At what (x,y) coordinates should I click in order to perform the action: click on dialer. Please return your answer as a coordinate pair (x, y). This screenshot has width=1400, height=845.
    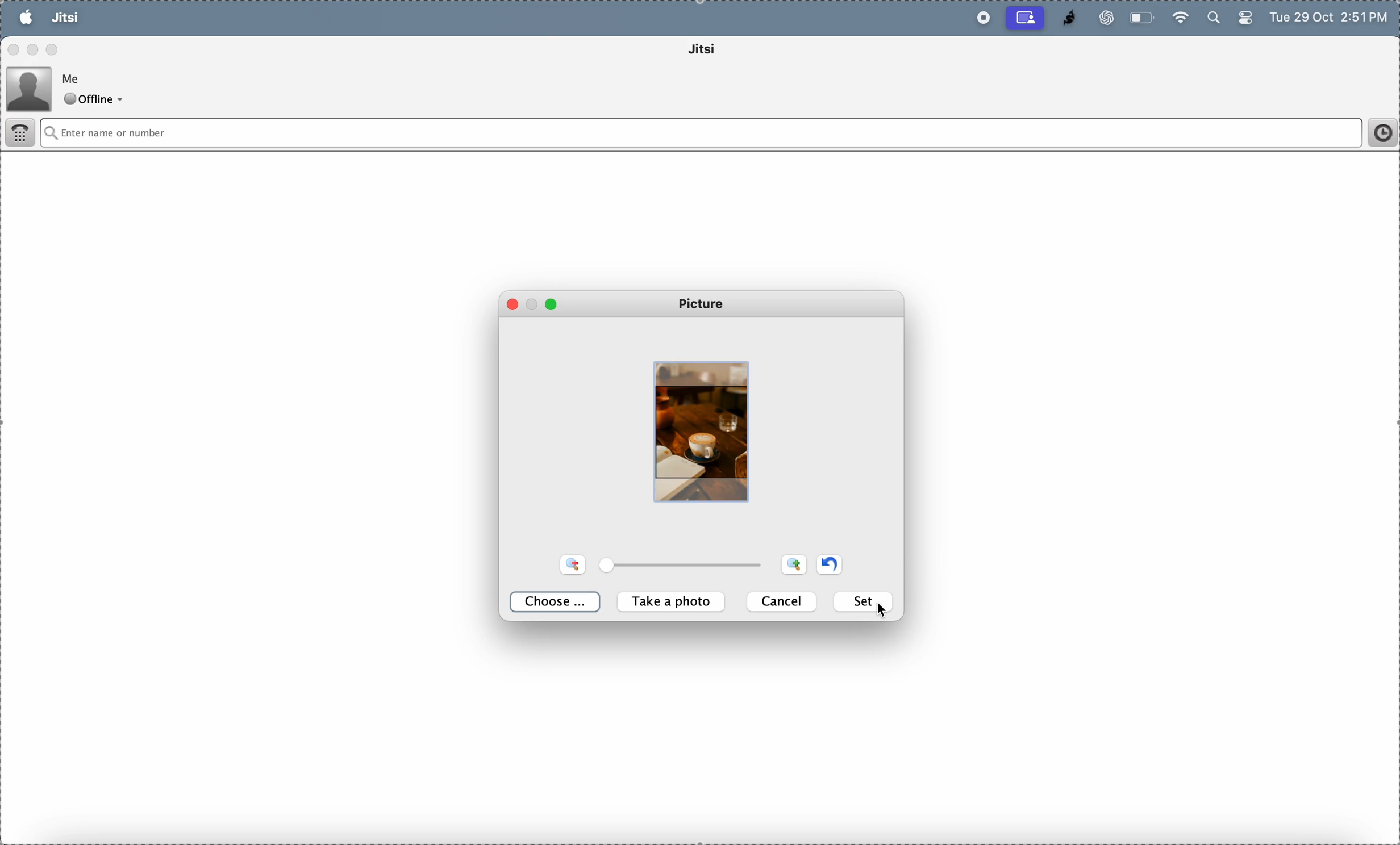
    Looking at the image, I should click on (22, 135).